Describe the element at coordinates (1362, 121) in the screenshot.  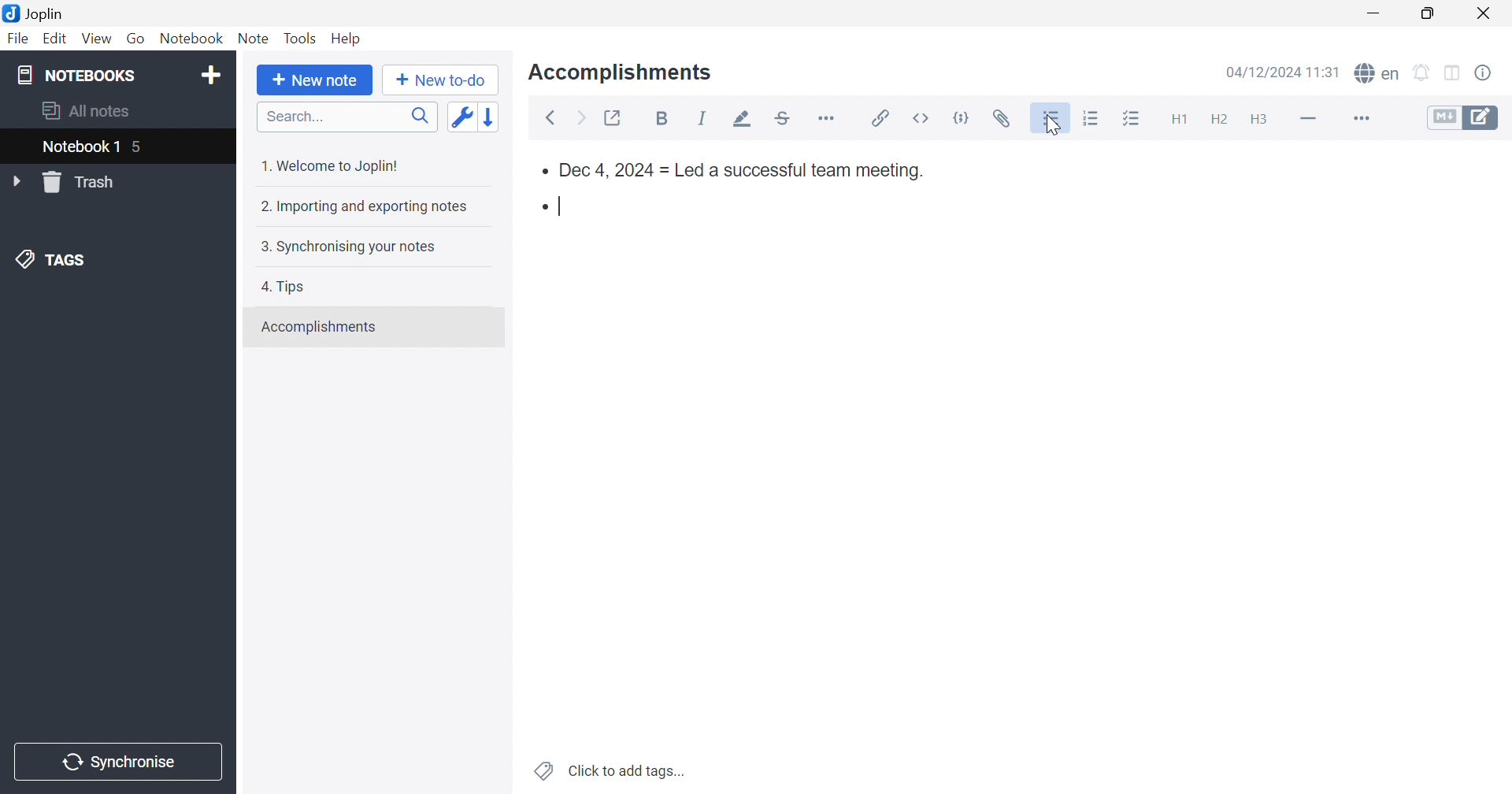
I see `More` at that location.